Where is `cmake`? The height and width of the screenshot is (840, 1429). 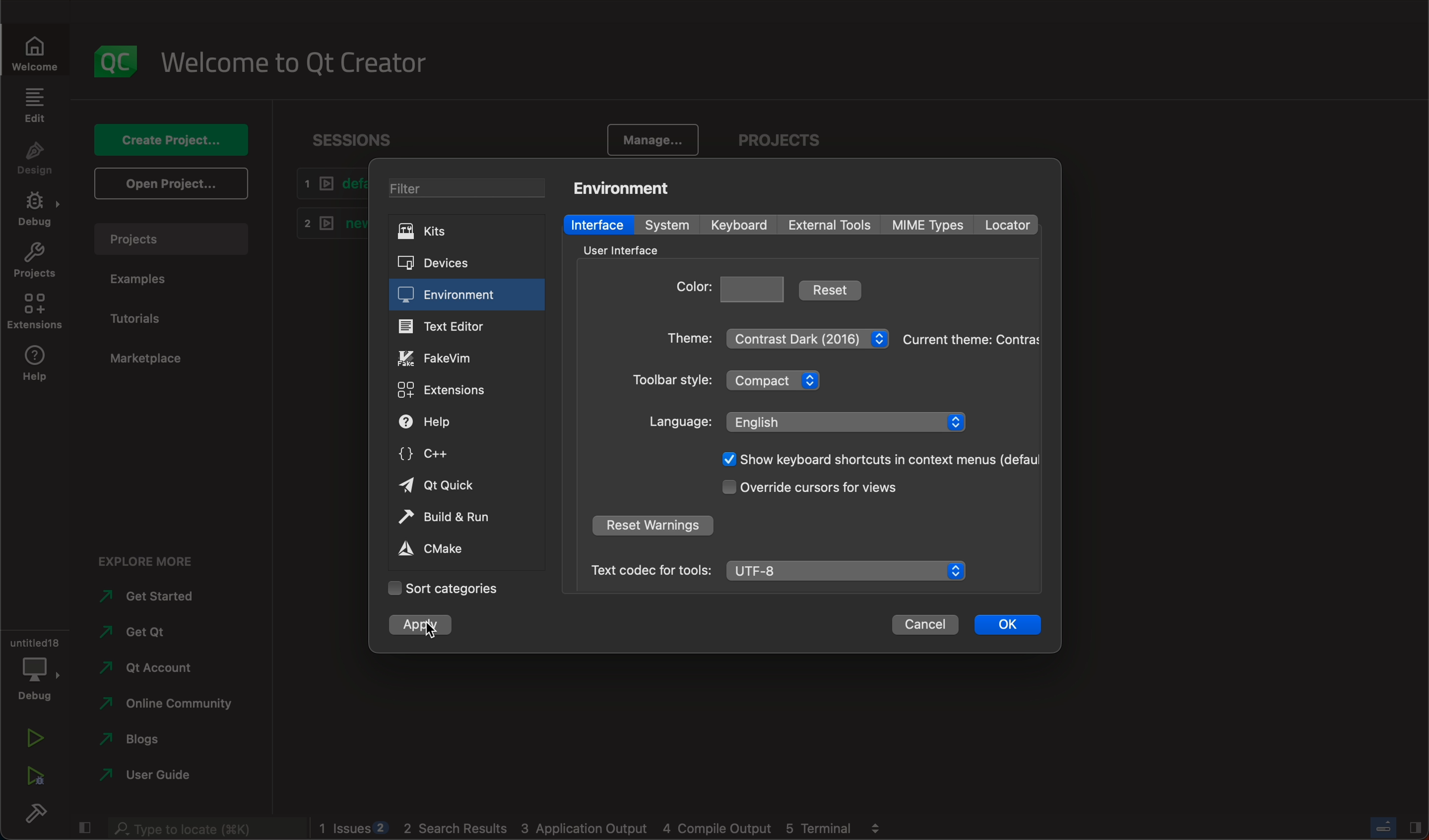
cmake is located at coordinates (447, 550).